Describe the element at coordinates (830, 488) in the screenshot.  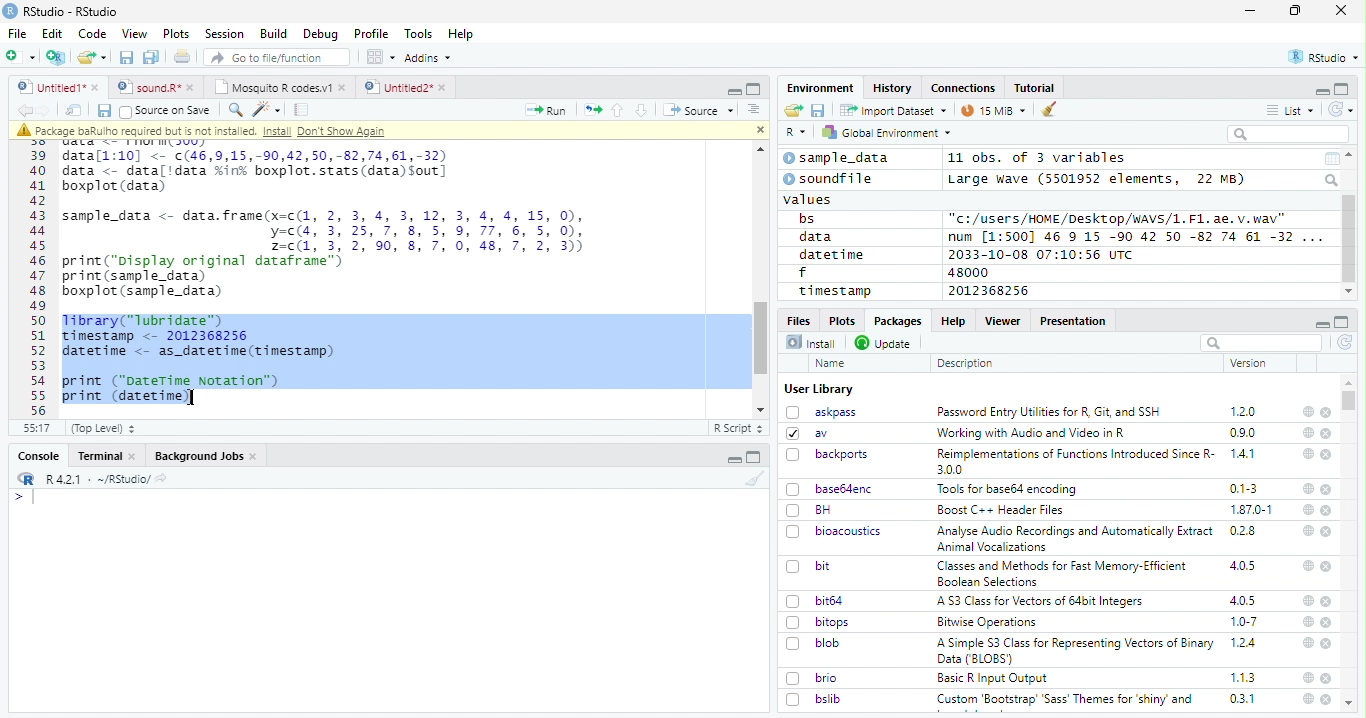
I see `base64enc` at that location.